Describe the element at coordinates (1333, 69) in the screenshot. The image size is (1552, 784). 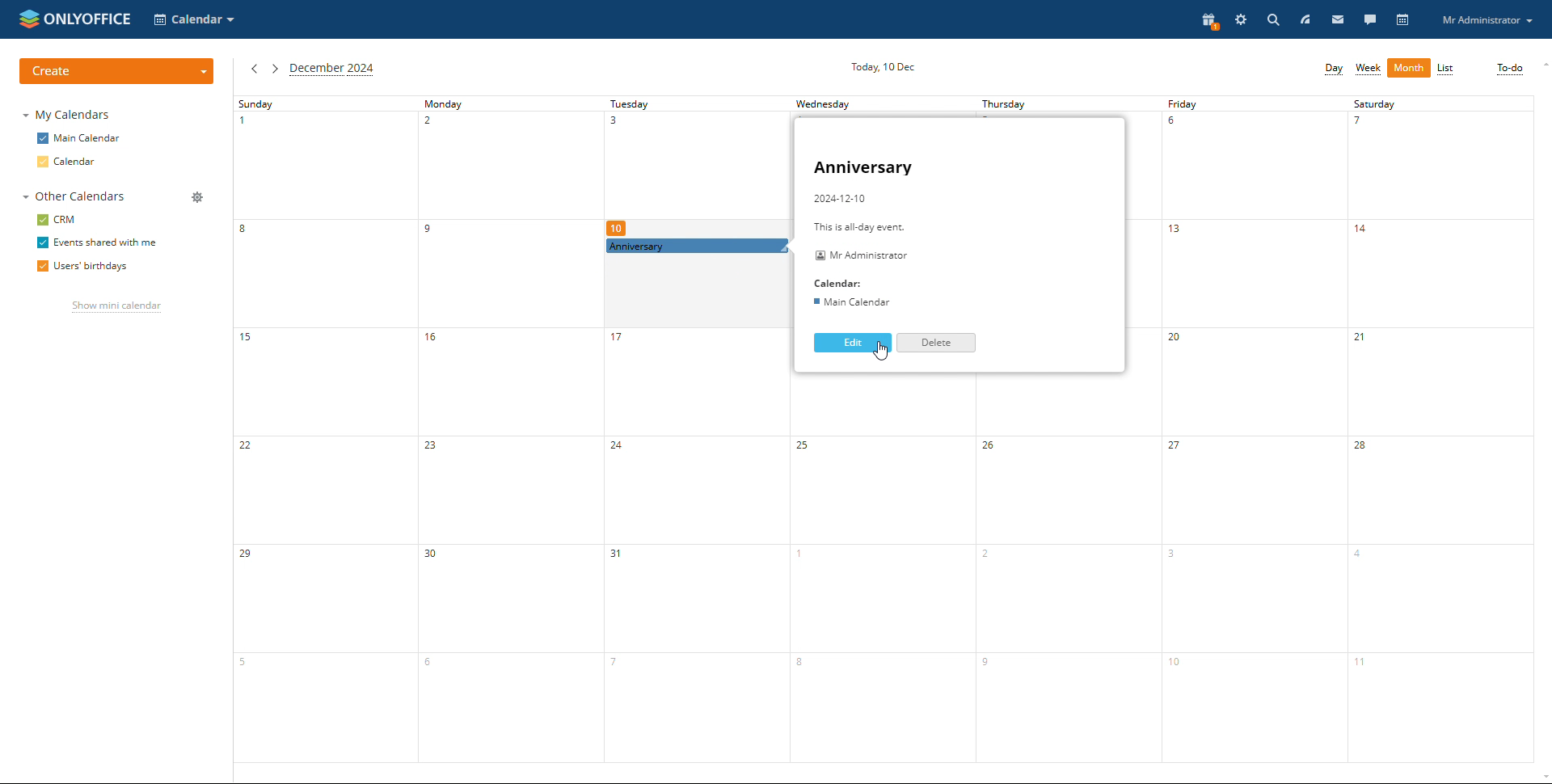
I see `day view` at that location.